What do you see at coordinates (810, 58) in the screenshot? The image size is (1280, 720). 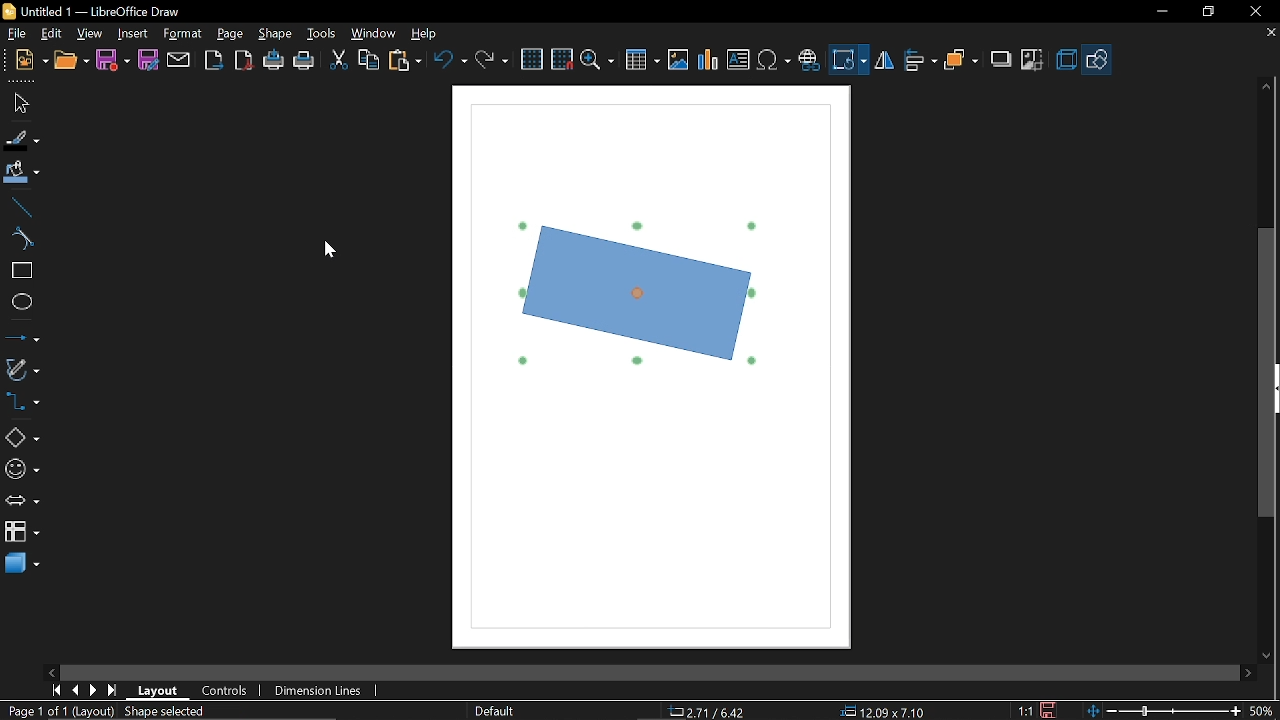 I see `Insert hyperlink` at bounding box center [810, 58].